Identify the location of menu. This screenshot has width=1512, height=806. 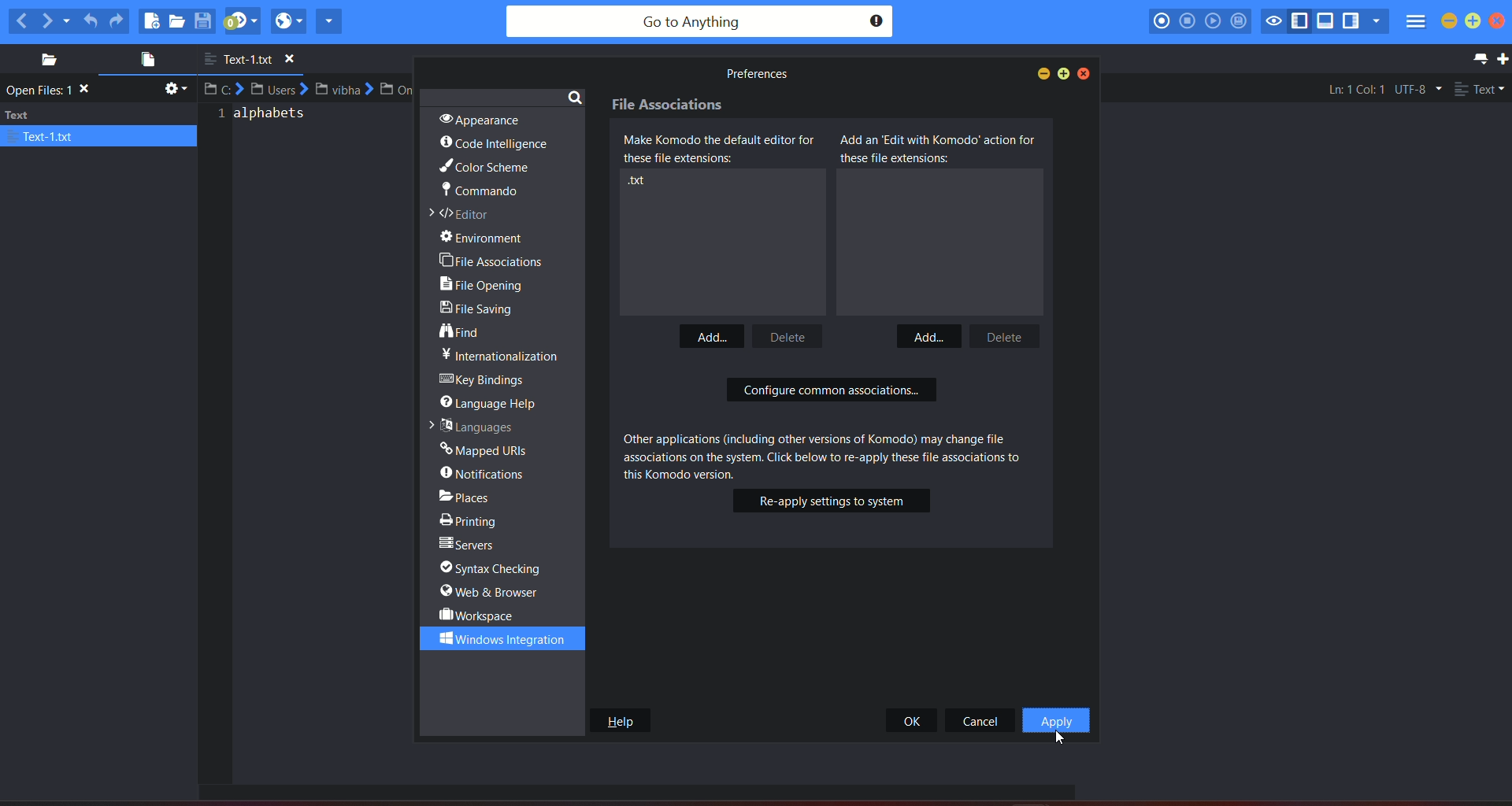
(1414, 24).